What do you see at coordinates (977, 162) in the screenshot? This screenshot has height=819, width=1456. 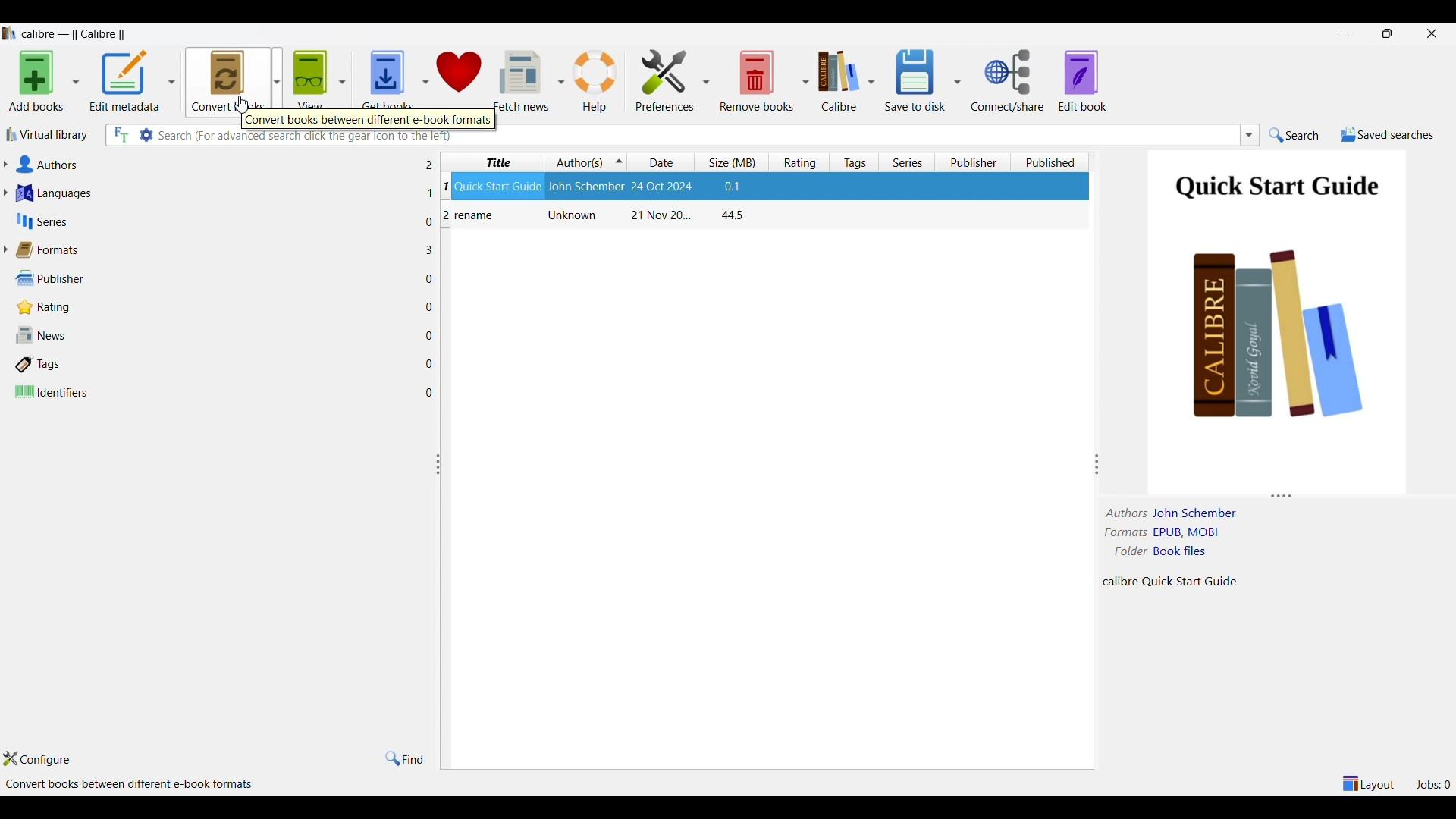 I see `Publisher column` at bounding box center [977, 162].